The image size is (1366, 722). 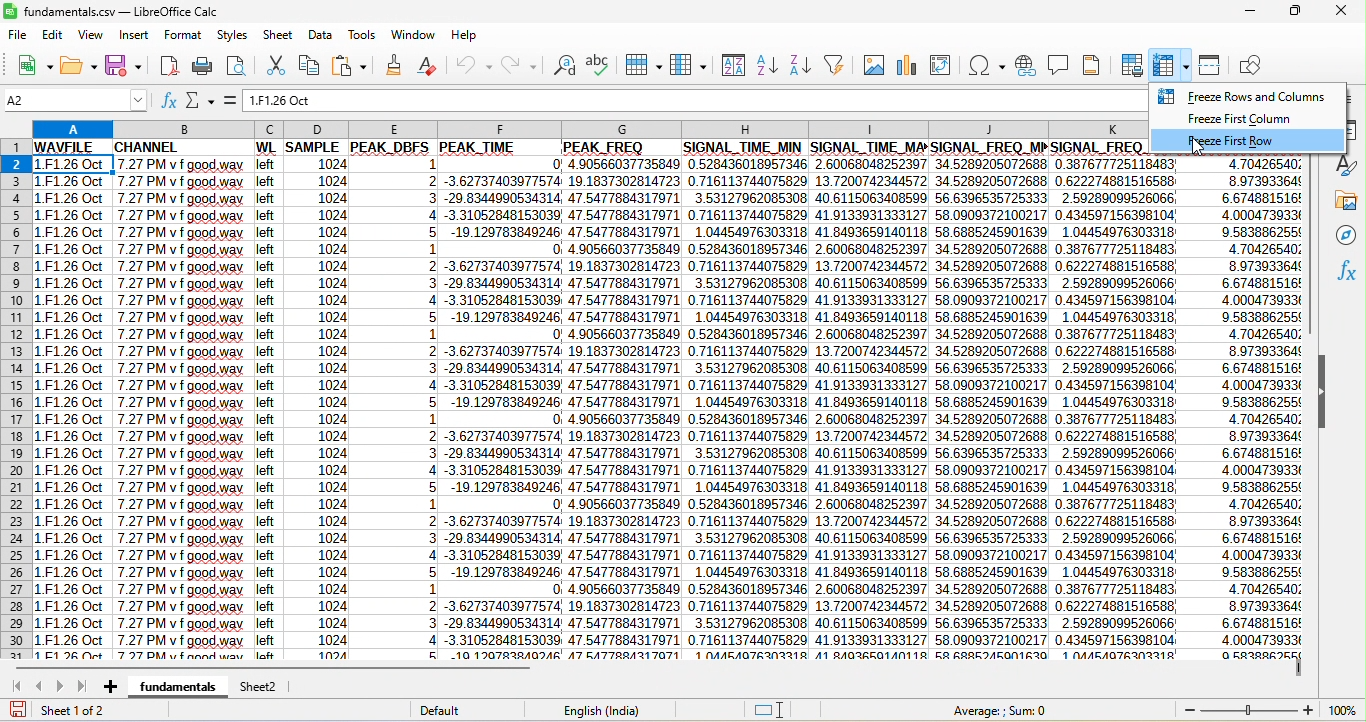 I want to click on default, so click(x=459, y=710).